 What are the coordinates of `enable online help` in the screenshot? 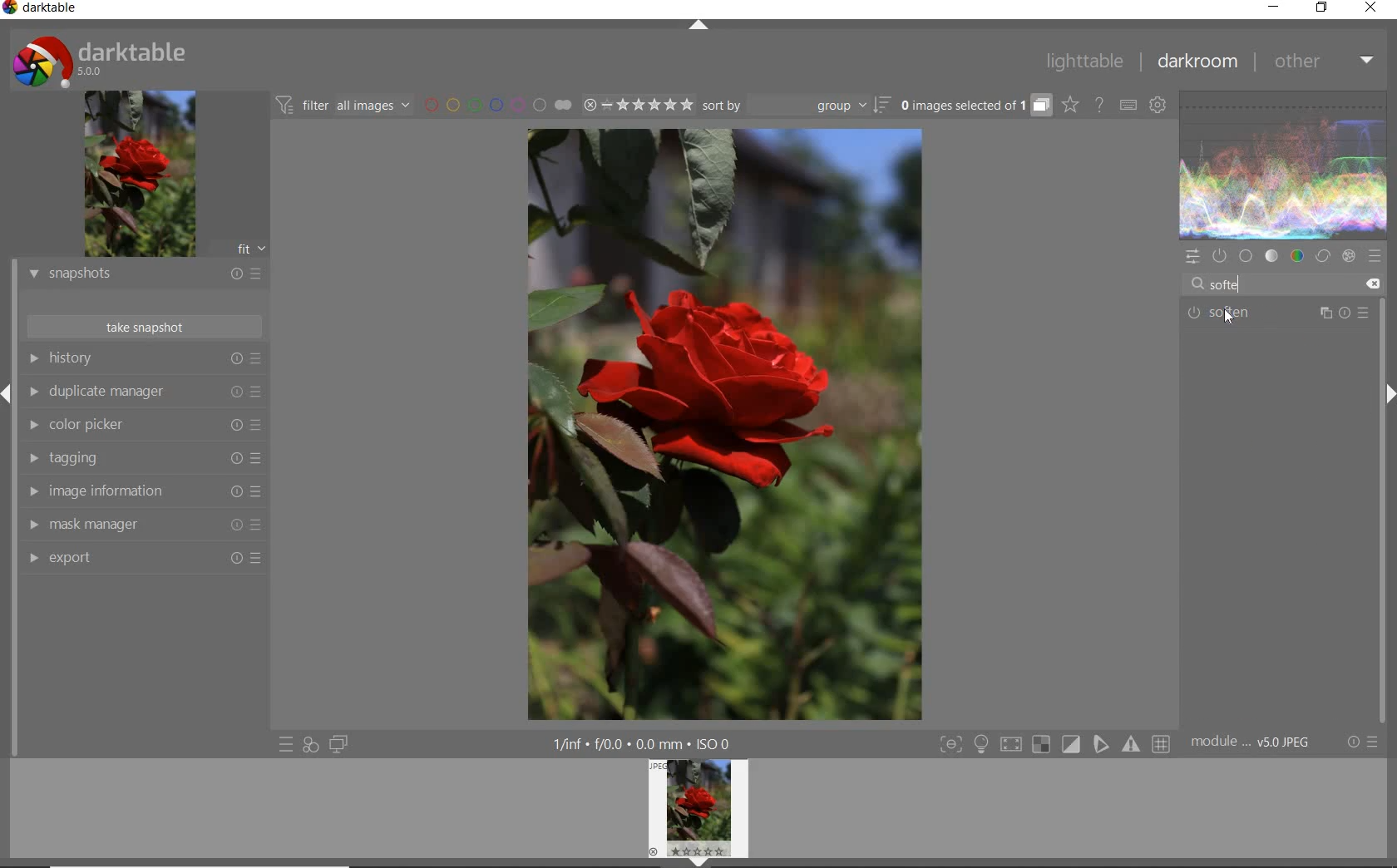 It's located at (1100, 105).